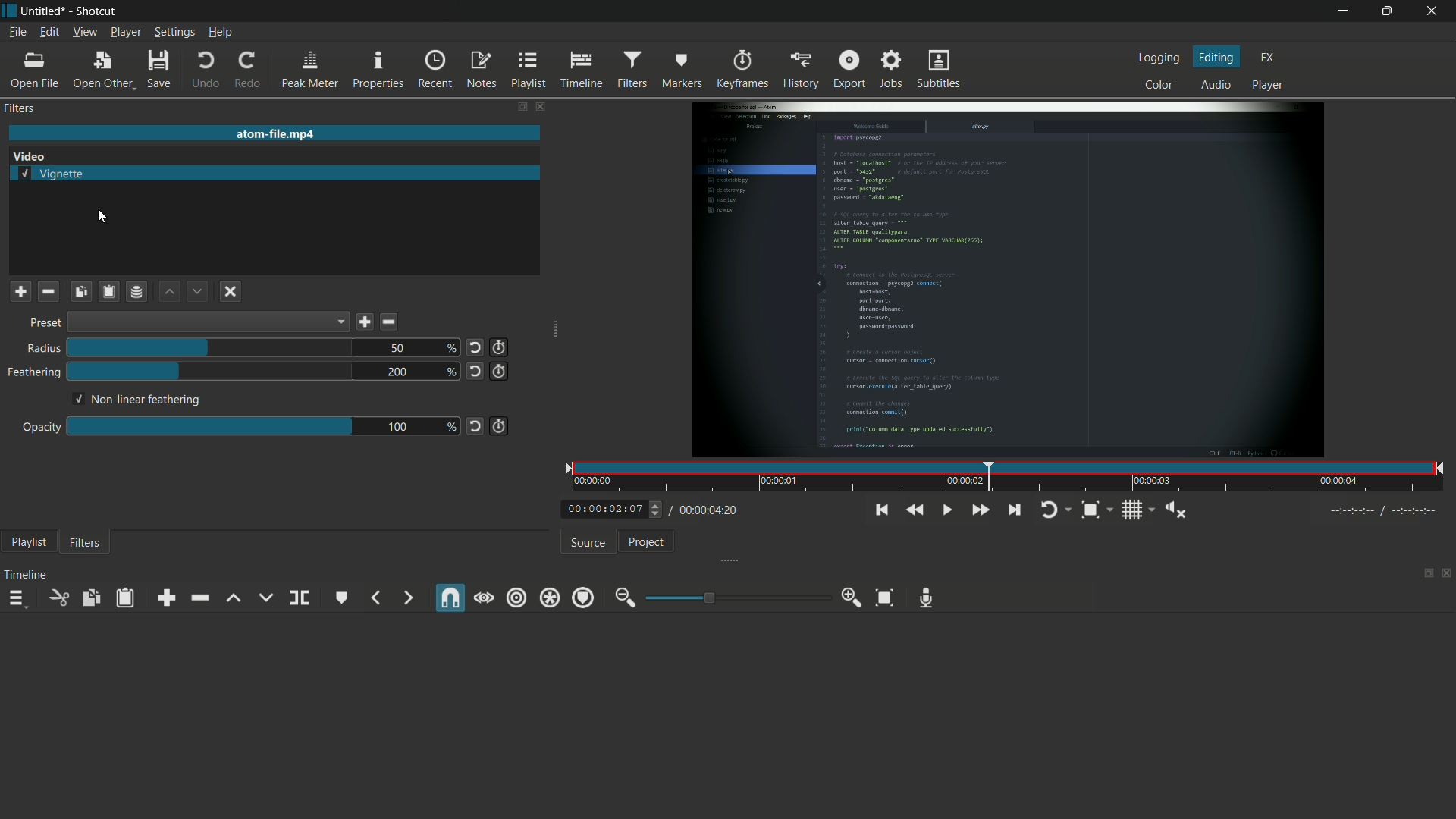 This screenshot has height=819, width=1456. Describe the element at coordinates (127, 598) in the screenshot. I see `paste filters` at that location.